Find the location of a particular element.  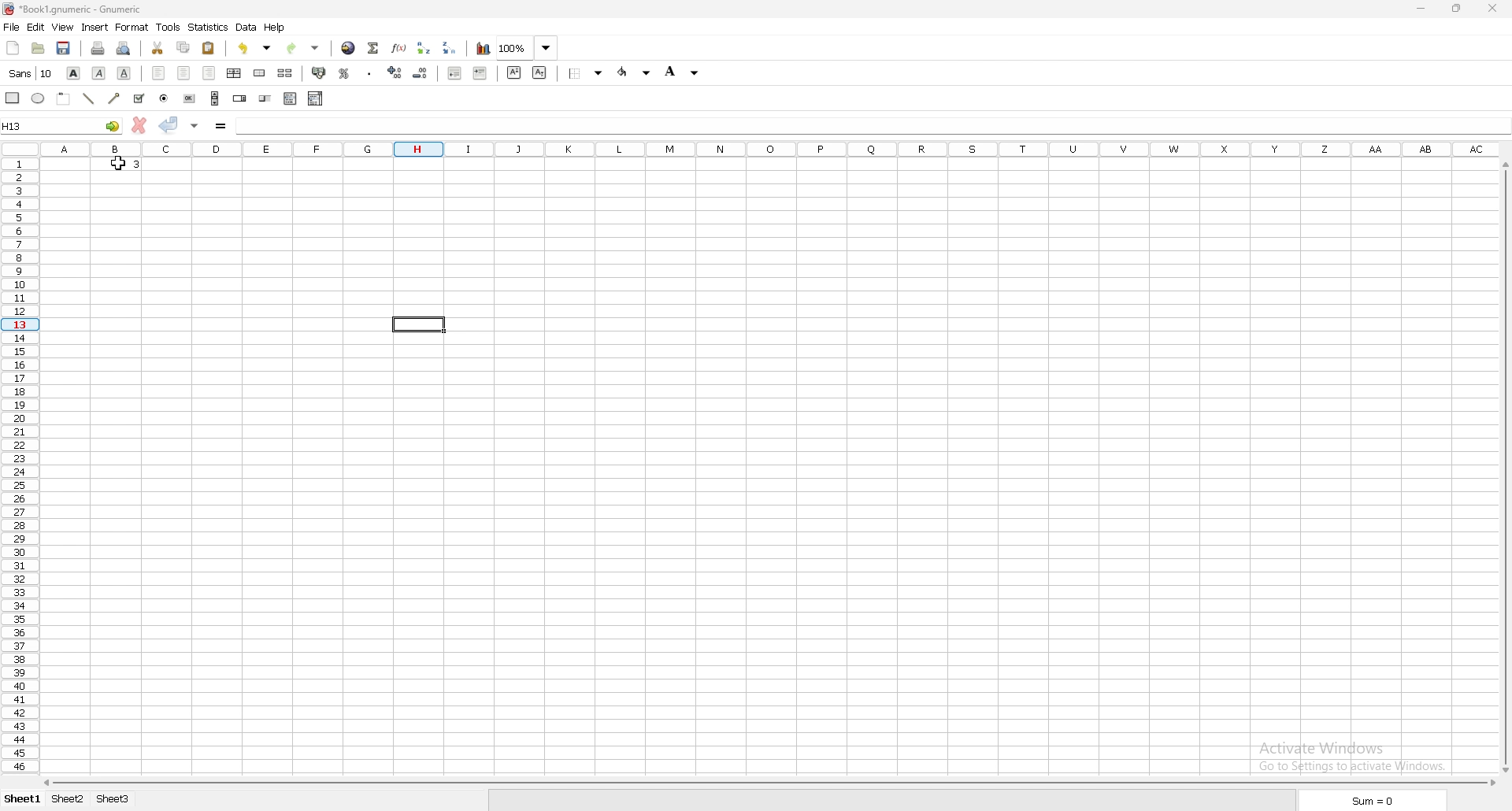

accounting is located at coordinates (321, 72).